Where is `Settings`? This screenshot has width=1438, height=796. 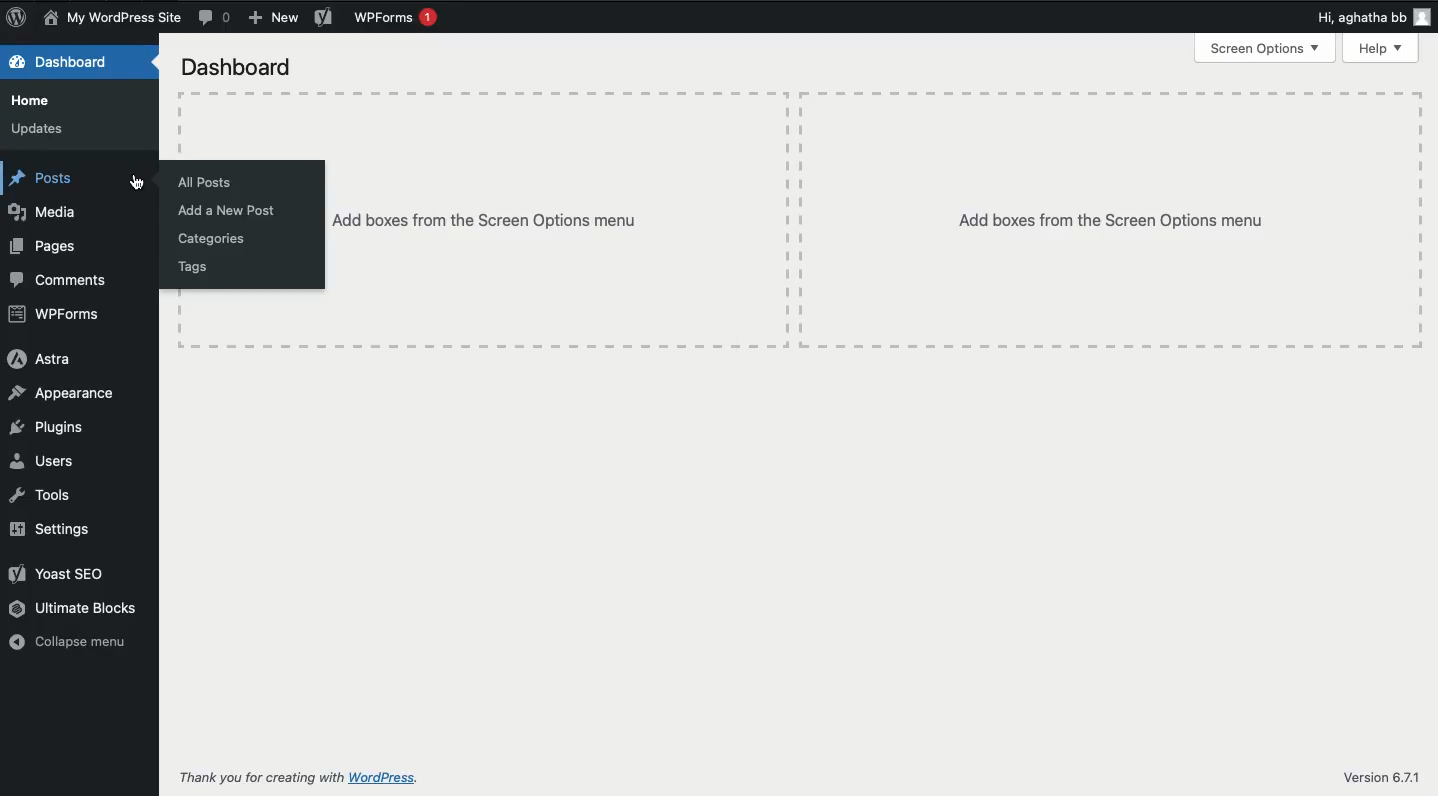 Settings is located at coordinates (53, 528).